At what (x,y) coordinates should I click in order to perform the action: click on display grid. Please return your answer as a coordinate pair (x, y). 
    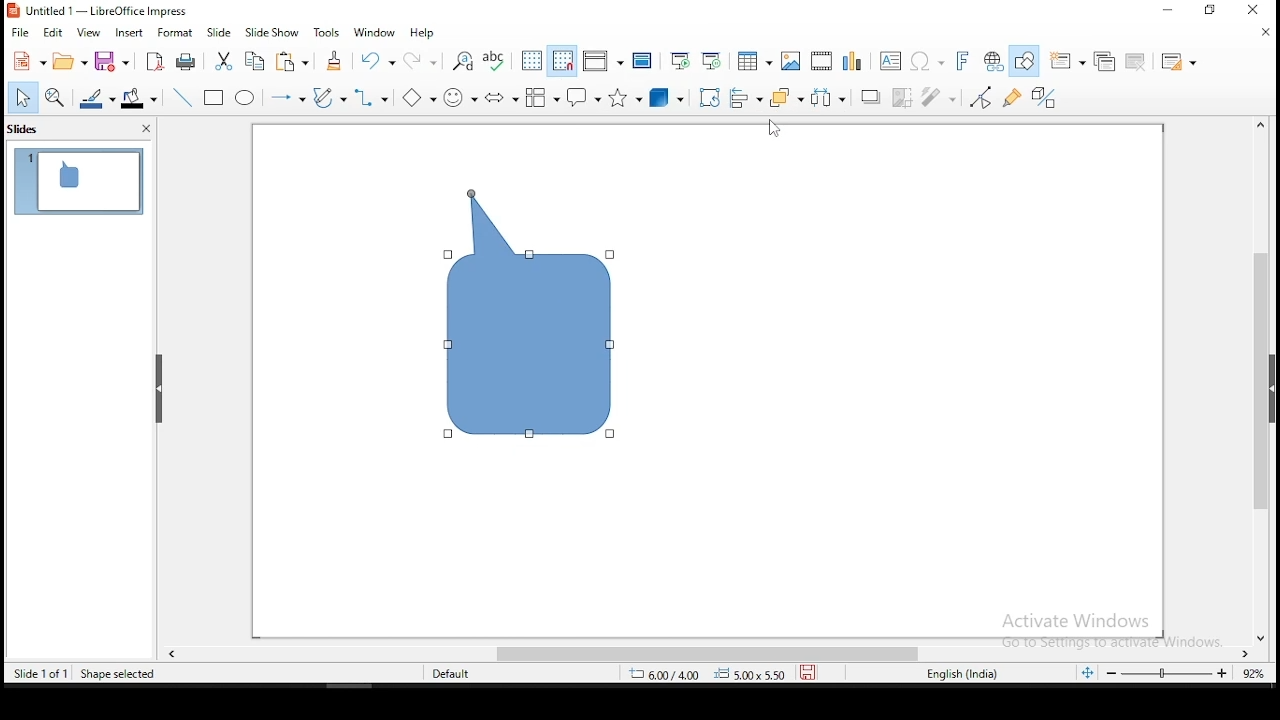
    Looking at the image, I should click on (533, 61).